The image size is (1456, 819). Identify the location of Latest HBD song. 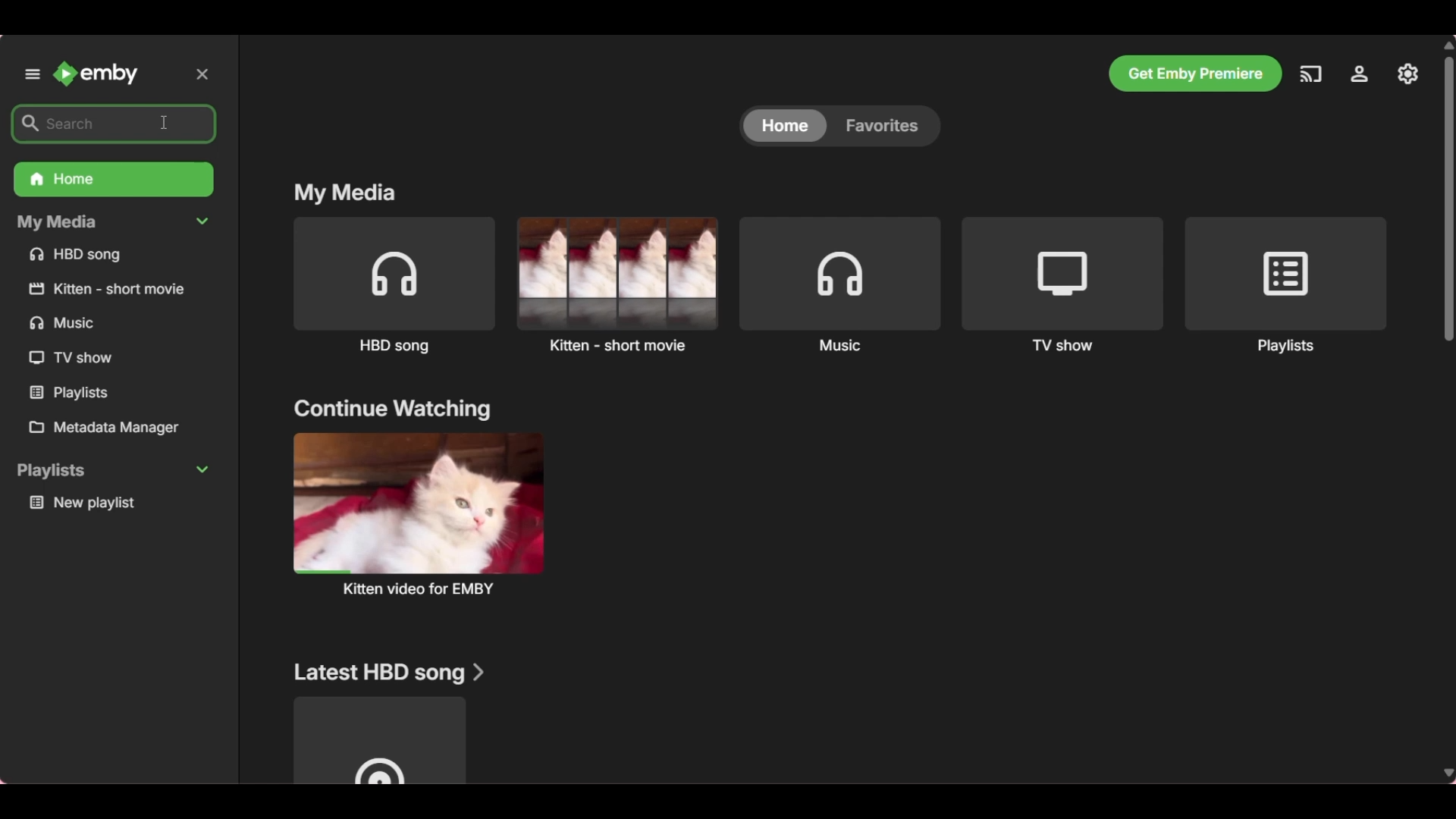
(390, 673).